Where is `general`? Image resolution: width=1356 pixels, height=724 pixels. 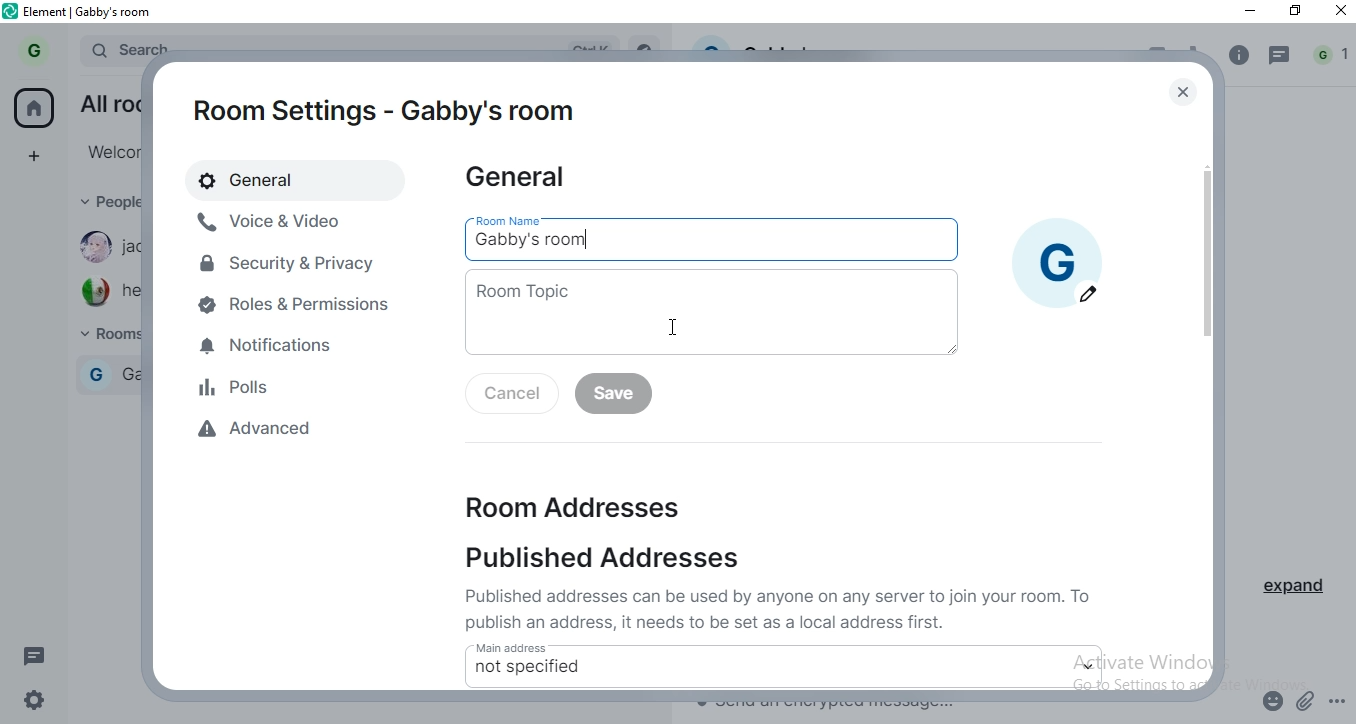 general is located at coordinates (277, 179).